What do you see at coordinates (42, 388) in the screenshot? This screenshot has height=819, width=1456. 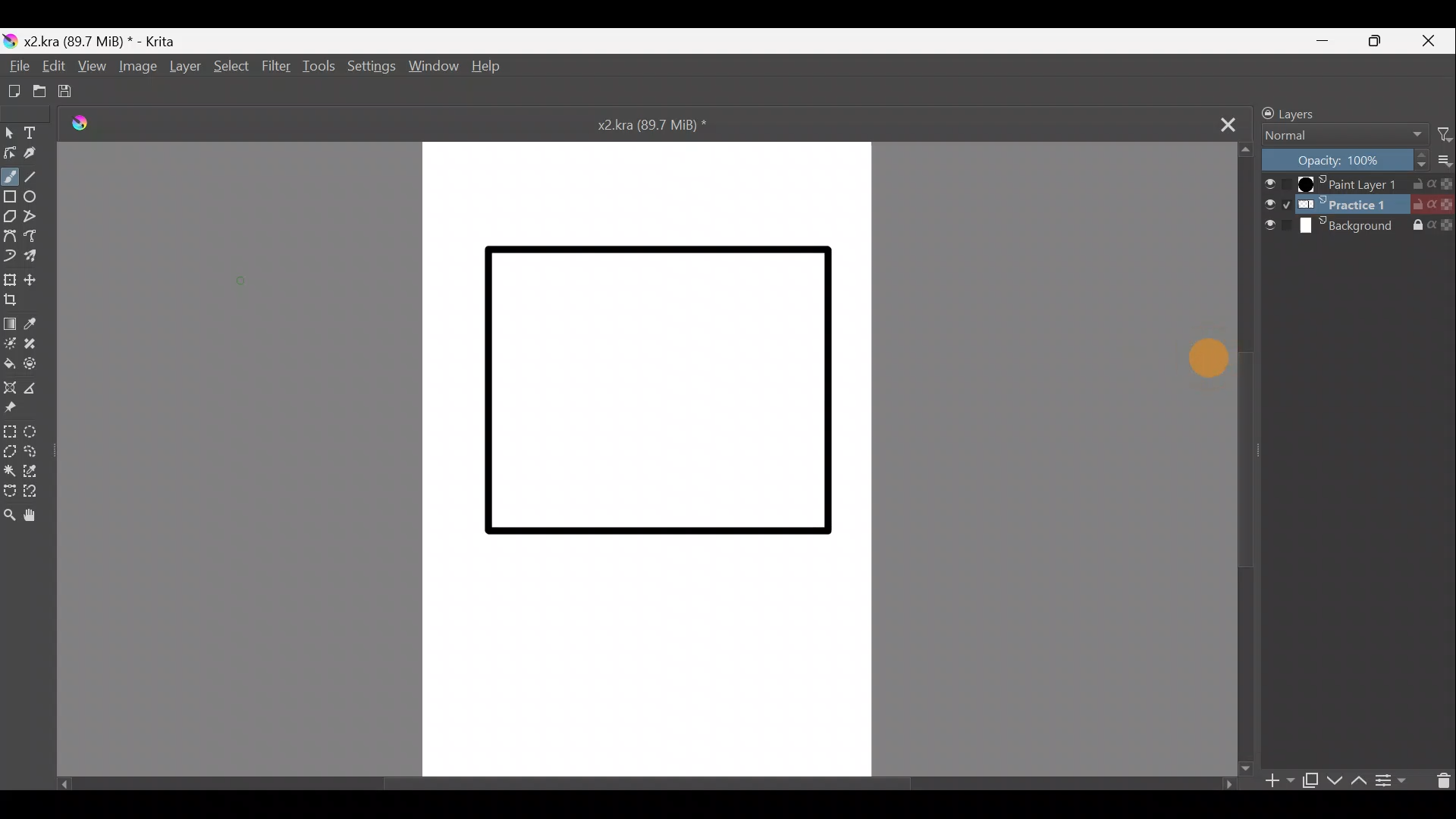 I see `Measure distance between two points` at bounding box center [42, 388].